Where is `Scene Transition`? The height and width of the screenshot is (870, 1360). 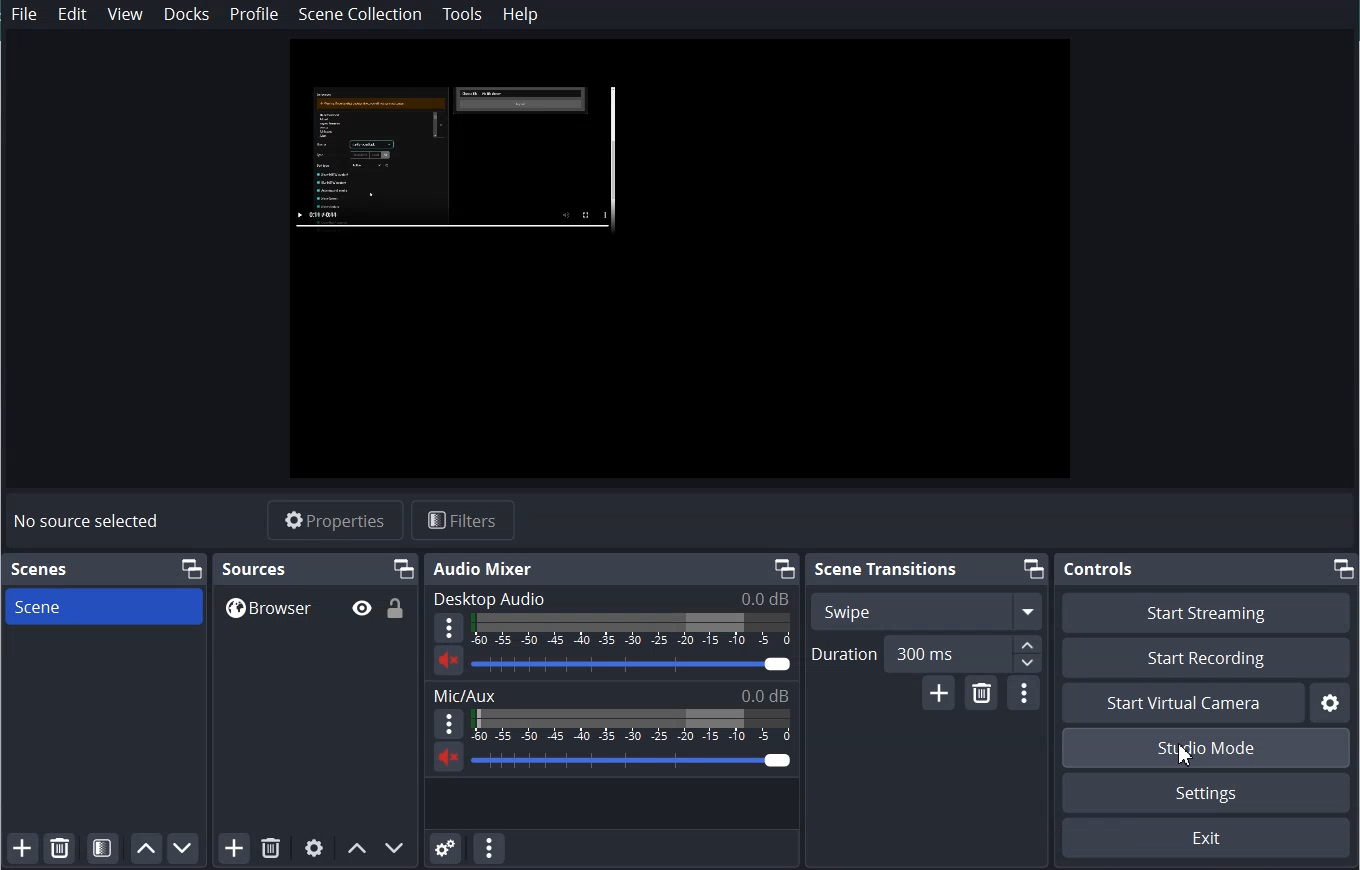
Scene Transition is located at coordinates (885, 568).